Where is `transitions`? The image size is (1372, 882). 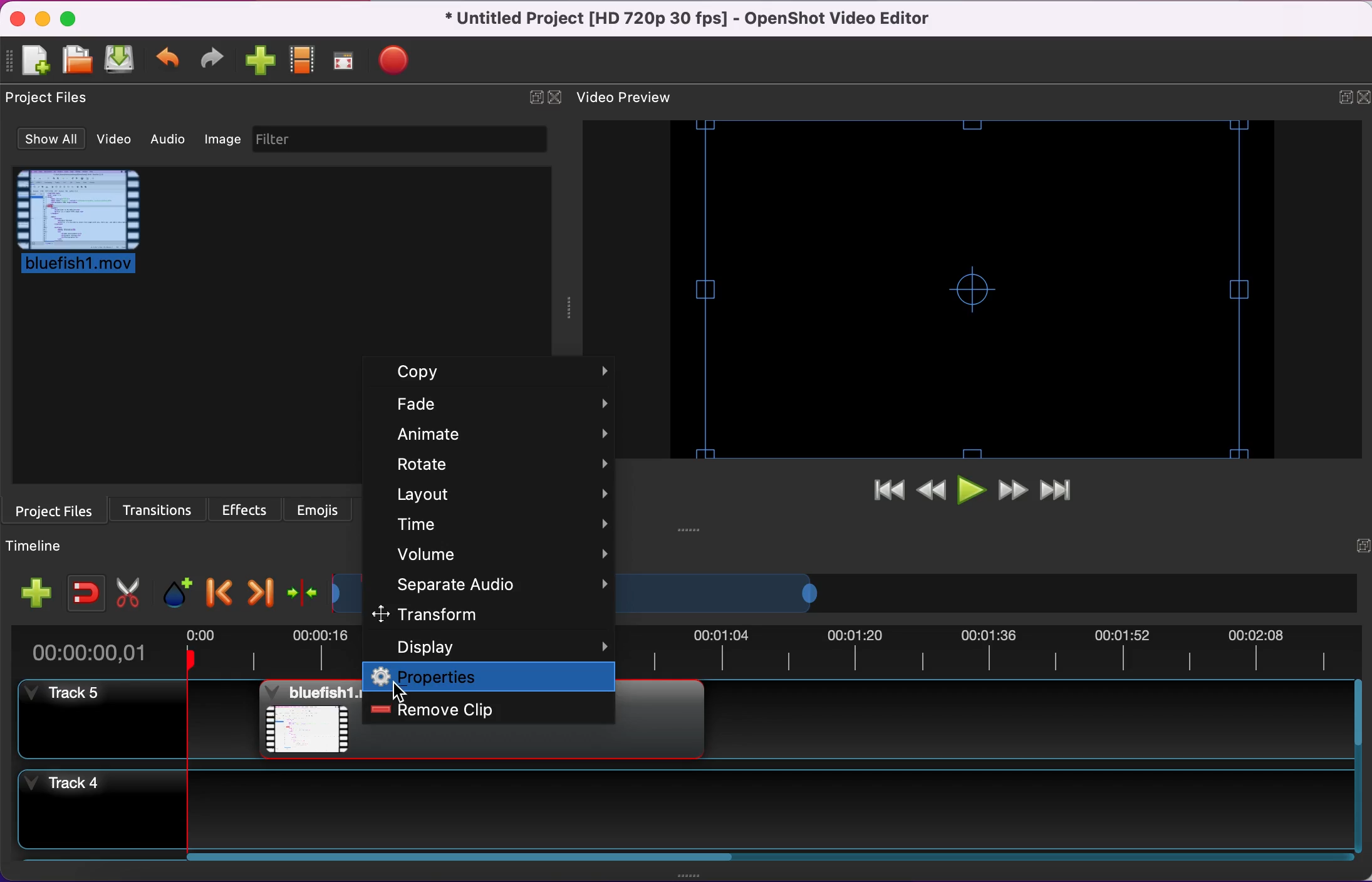 transitions is located at coordinates (157, 509).